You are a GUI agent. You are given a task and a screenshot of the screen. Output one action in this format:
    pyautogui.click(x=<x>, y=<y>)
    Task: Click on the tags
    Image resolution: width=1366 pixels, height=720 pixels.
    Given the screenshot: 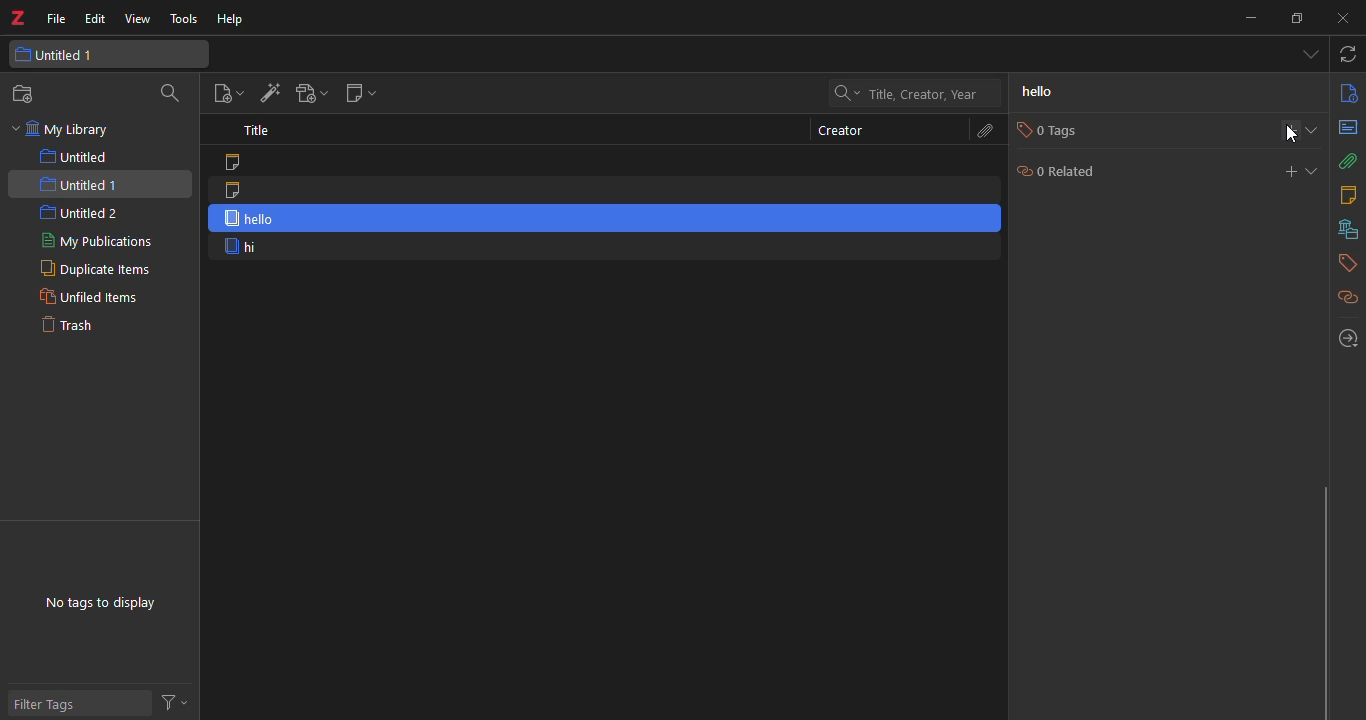 What is the action you would take?
    pyautogui.click(x=1345, y=263)
    